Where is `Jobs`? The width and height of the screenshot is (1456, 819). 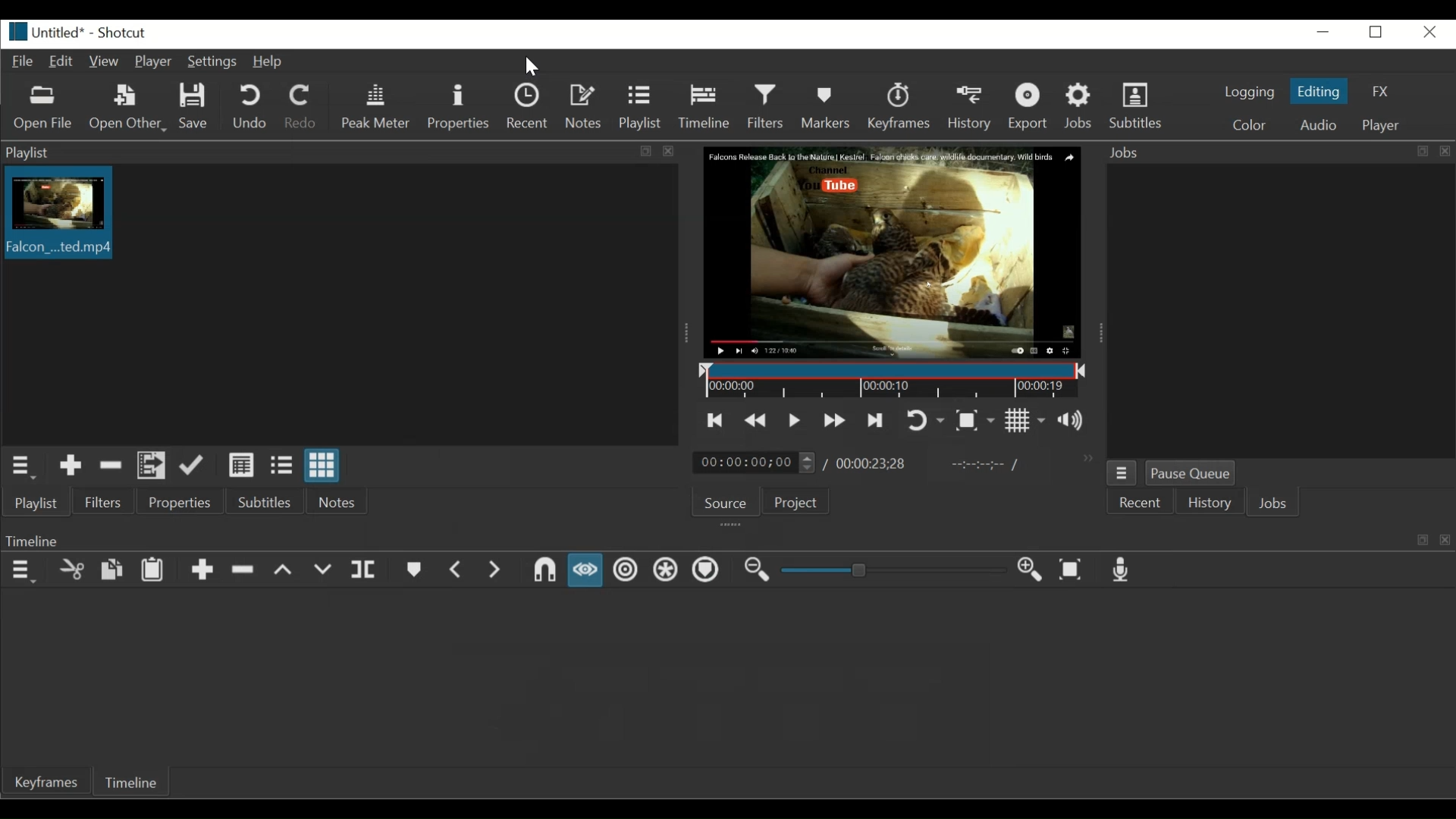 Jobs is located at coordinates (1273, 504).